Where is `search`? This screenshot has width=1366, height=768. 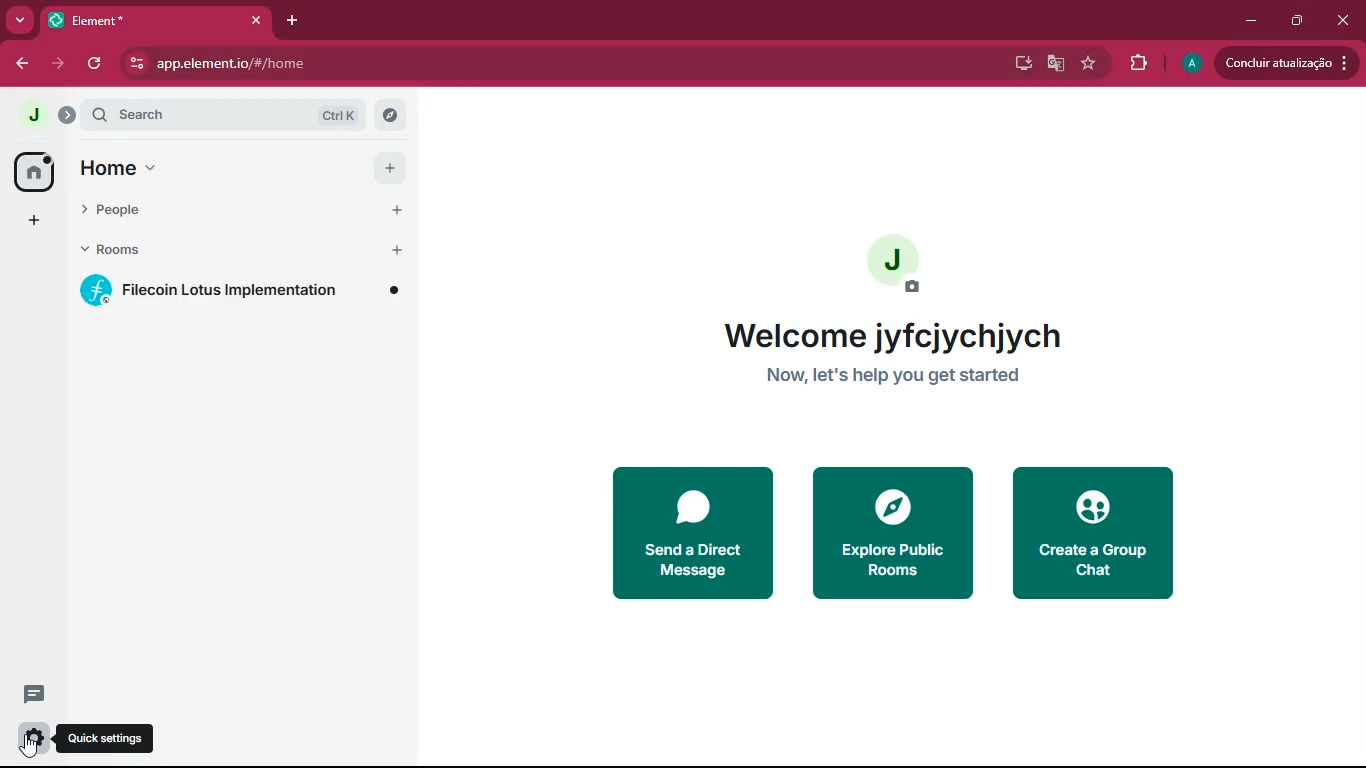 search is located at coordinates (224, 114).